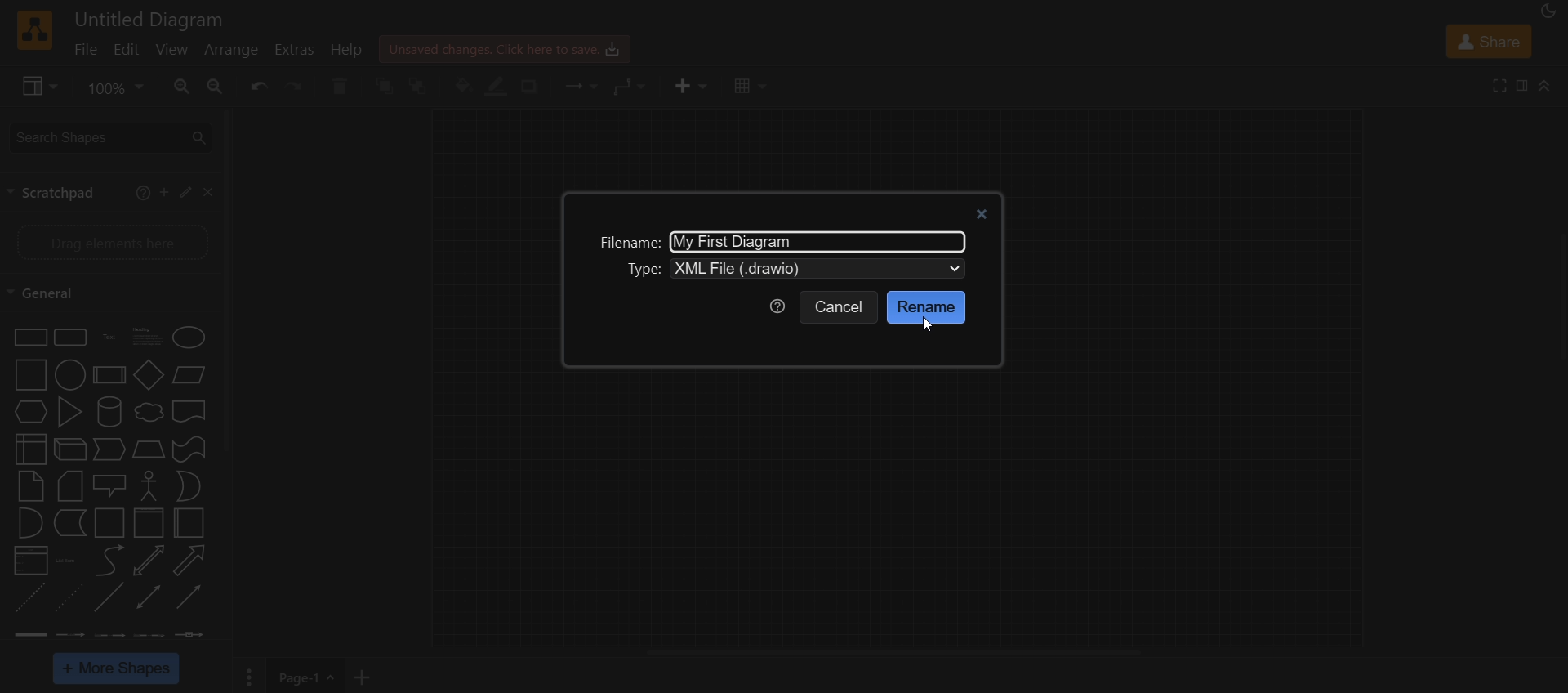  What do you see at coordinates (926, 324) in the screenshot?
I see `cursor` at bounding box center [926, 324].